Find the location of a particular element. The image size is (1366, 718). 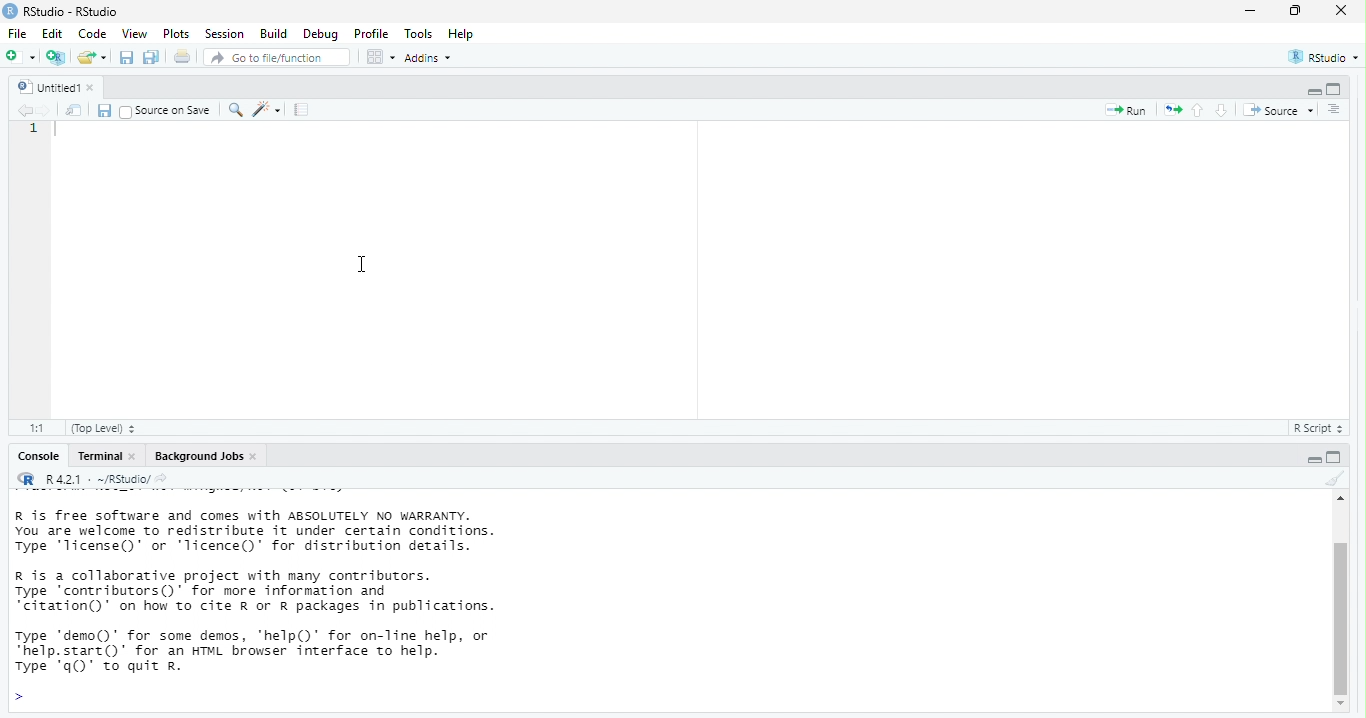

save current document is located at coordinates (100, 109).